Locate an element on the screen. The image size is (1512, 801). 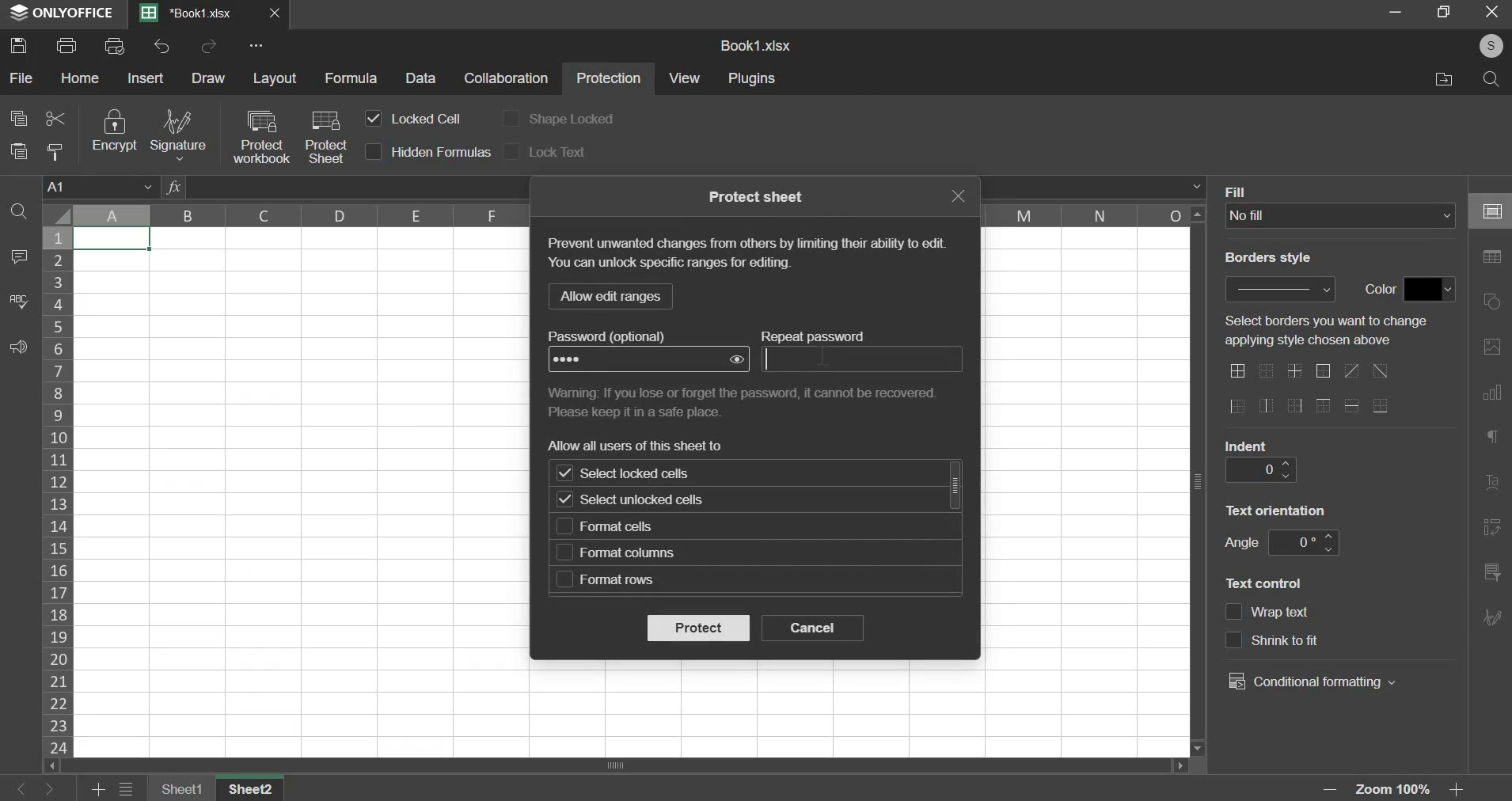
print is located at coordinates (67, 44).